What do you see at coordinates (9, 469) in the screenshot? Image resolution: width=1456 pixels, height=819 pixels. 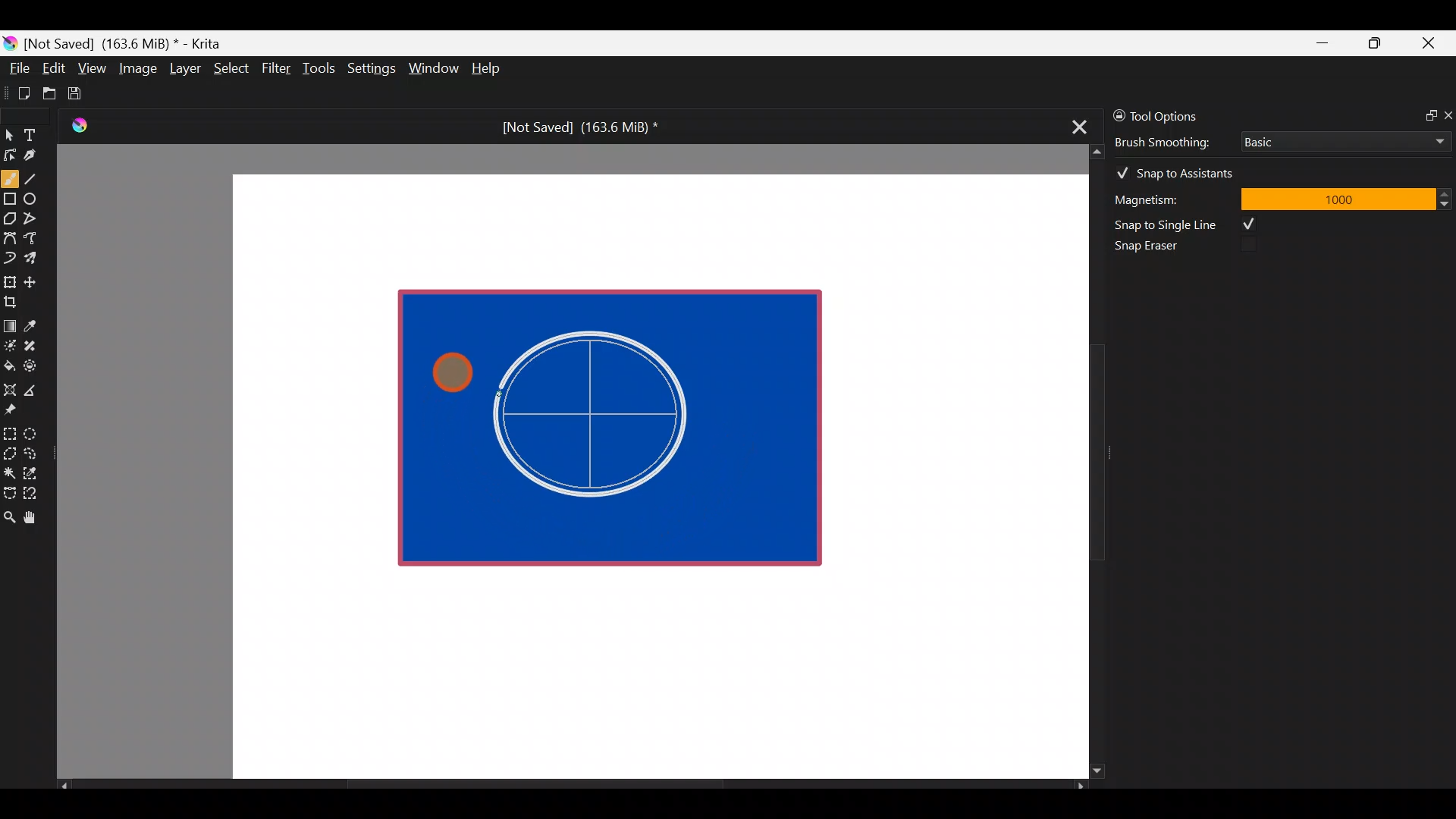 I see `Contiguous selection tool` at bounding box center [9, 469].